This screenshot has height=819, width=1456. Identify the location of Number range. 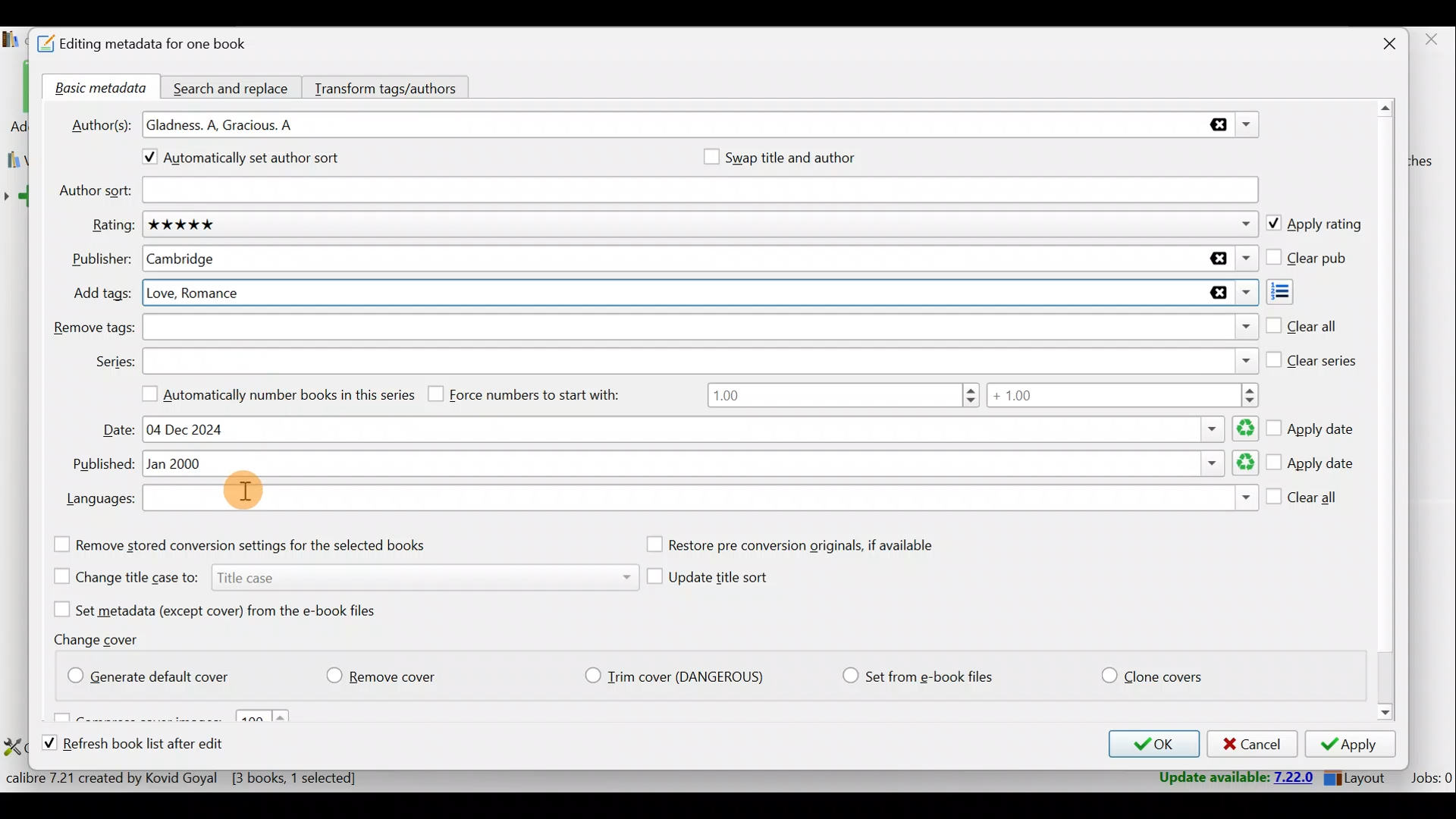
(982, 397).